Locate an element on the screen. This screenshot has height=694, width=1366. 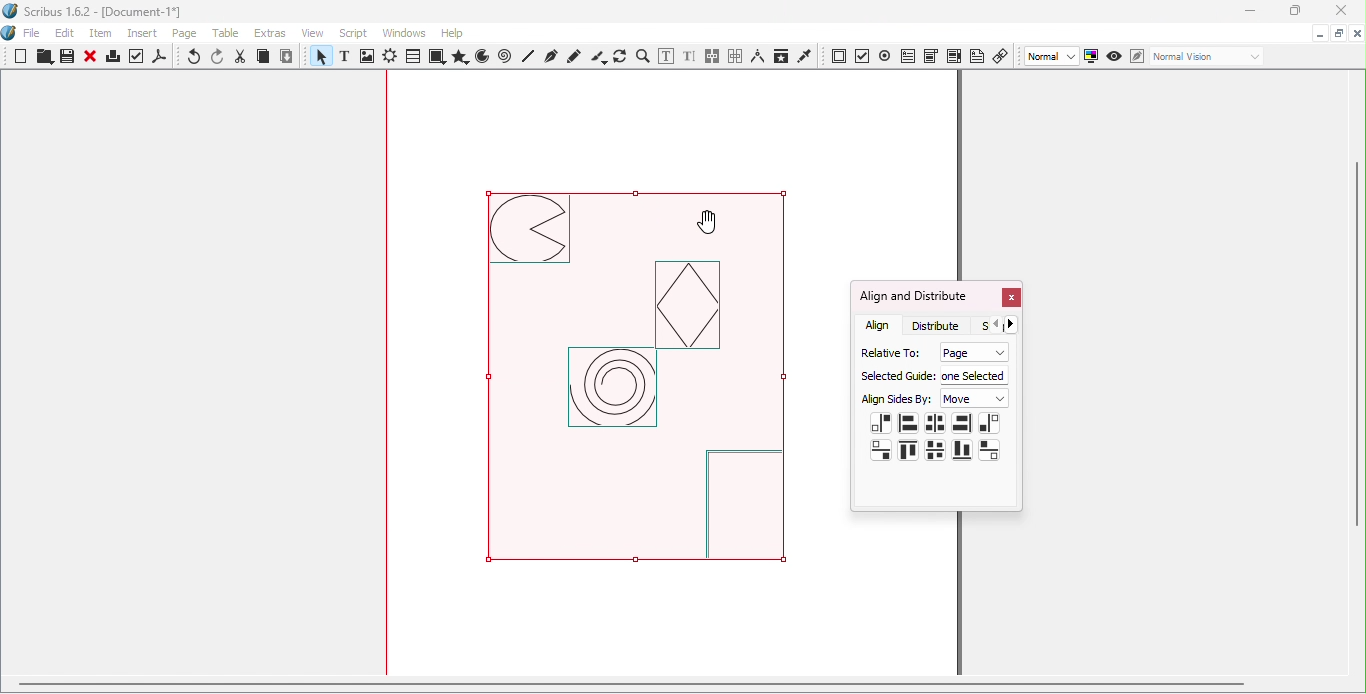
Link annotation is located at coordinates (1002, 55).